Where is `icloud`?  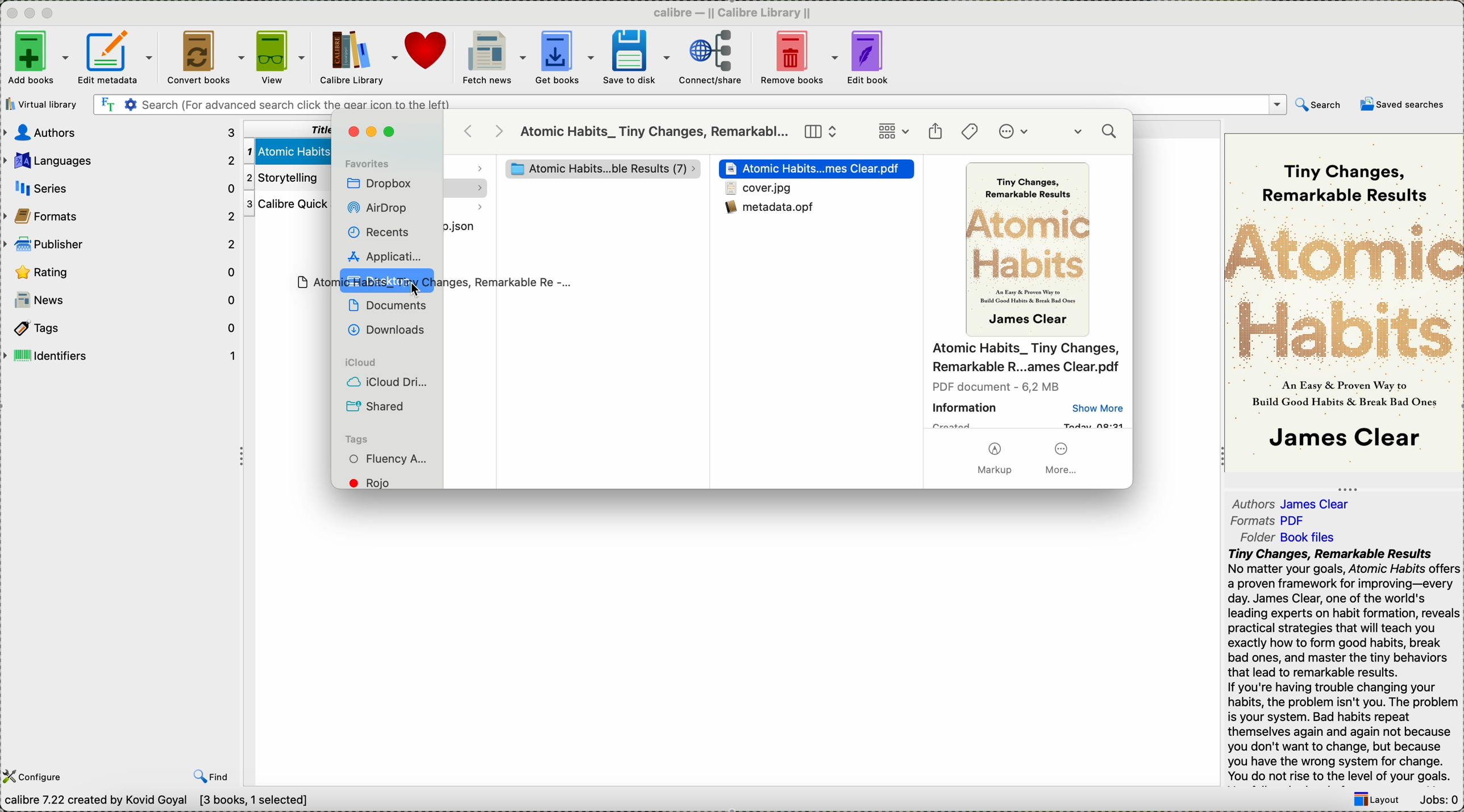 icloud is located at coordinates (358, 363).